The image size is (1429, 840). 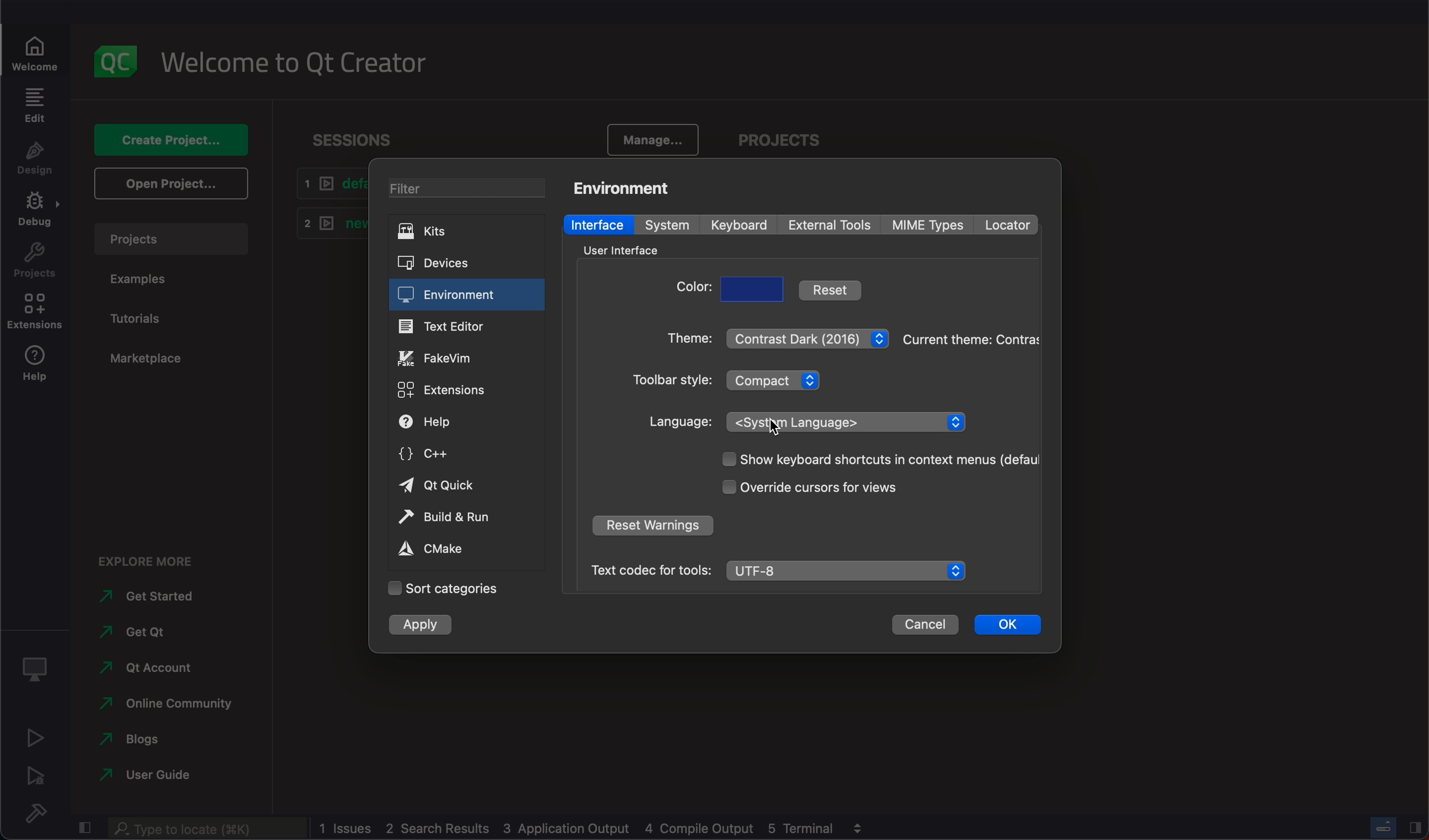 I want to click on text editor, so click(x=464, y=327).